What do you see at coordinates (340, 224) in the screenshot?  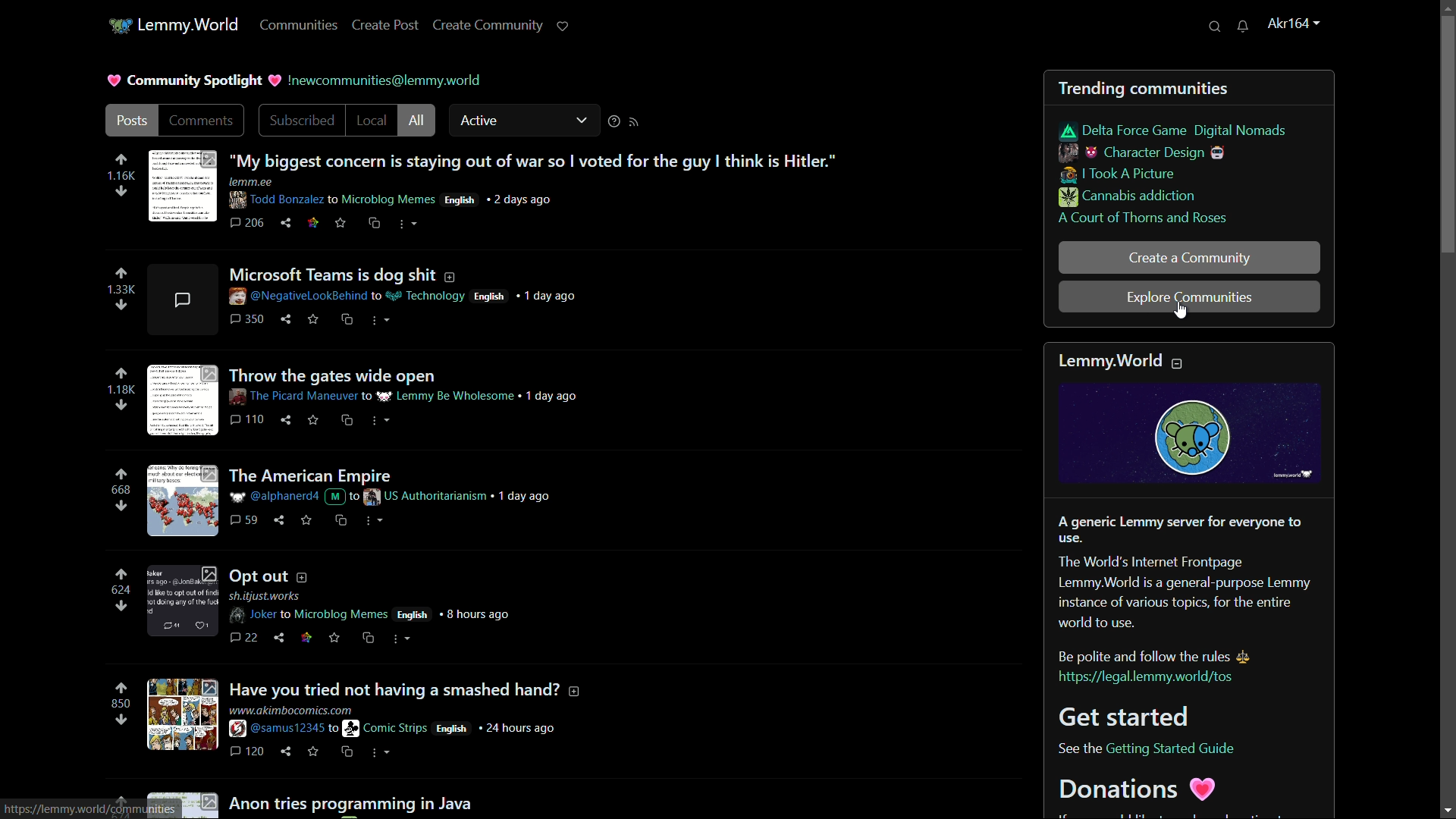 I see `save` at bounding box center [340, 224].